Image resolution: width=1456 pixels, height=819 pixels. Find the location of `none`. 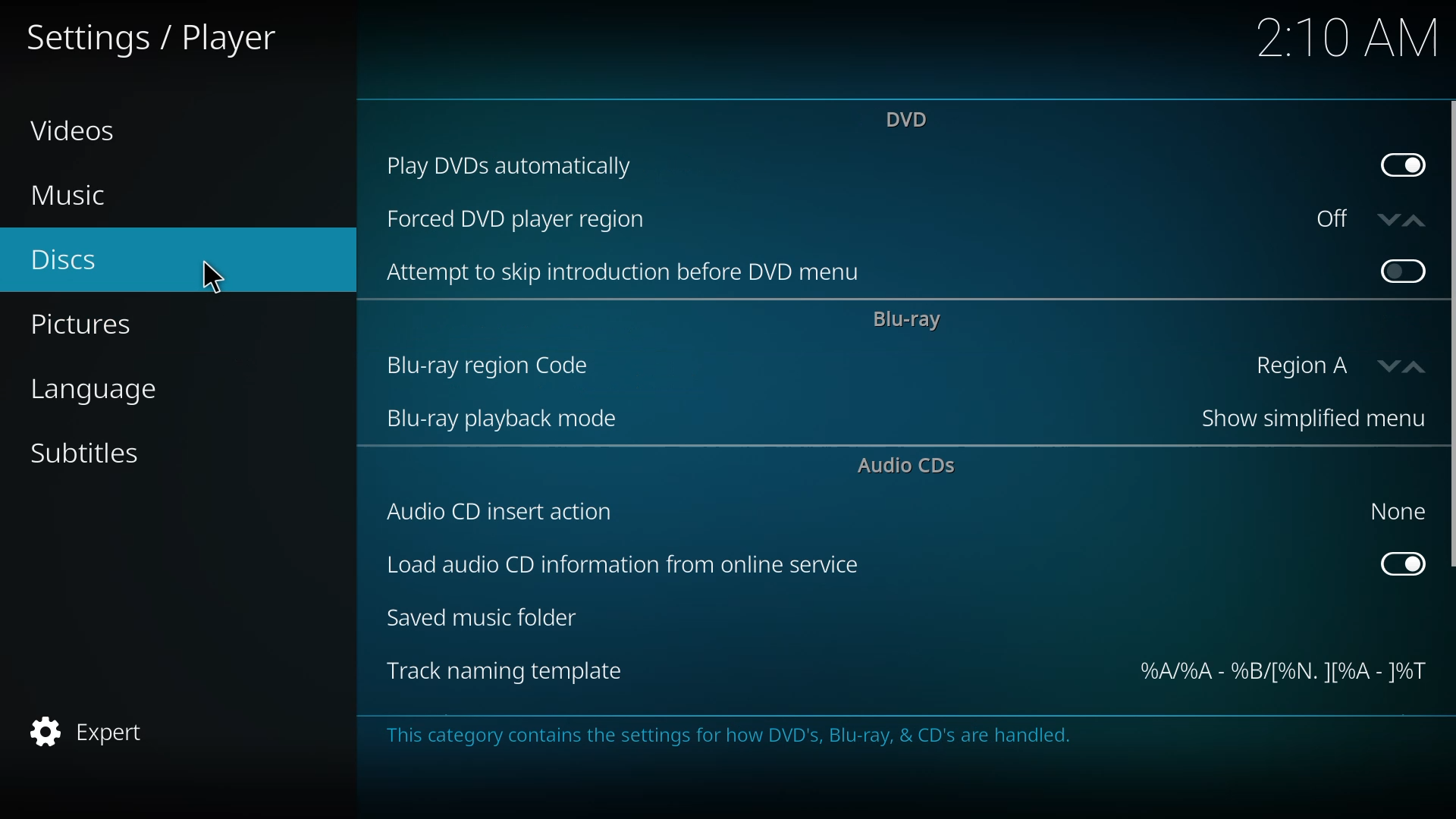

none is located at coordinates (1388, 510).